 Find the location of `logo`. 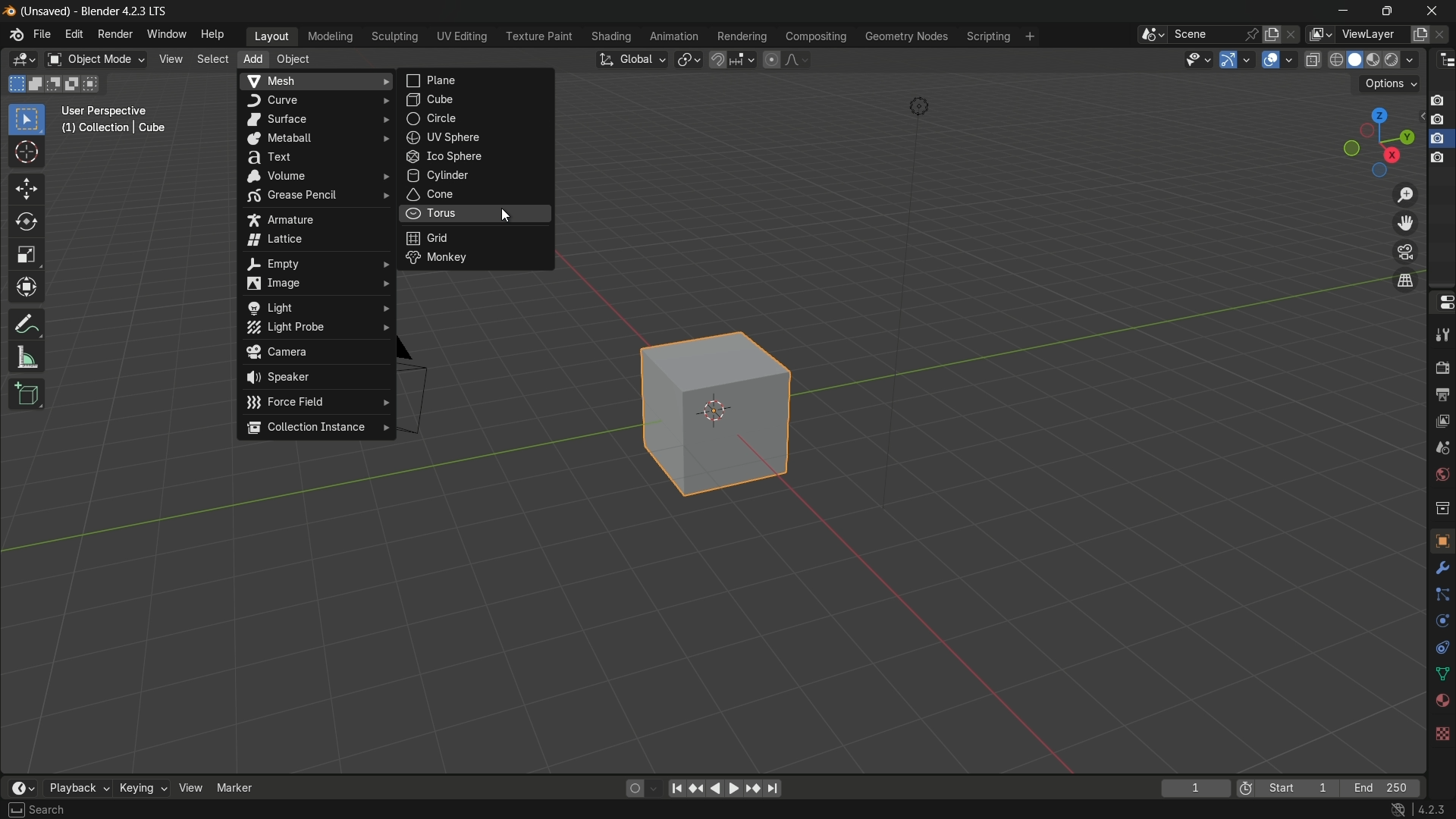

logo is located at coordinates (17, 35).